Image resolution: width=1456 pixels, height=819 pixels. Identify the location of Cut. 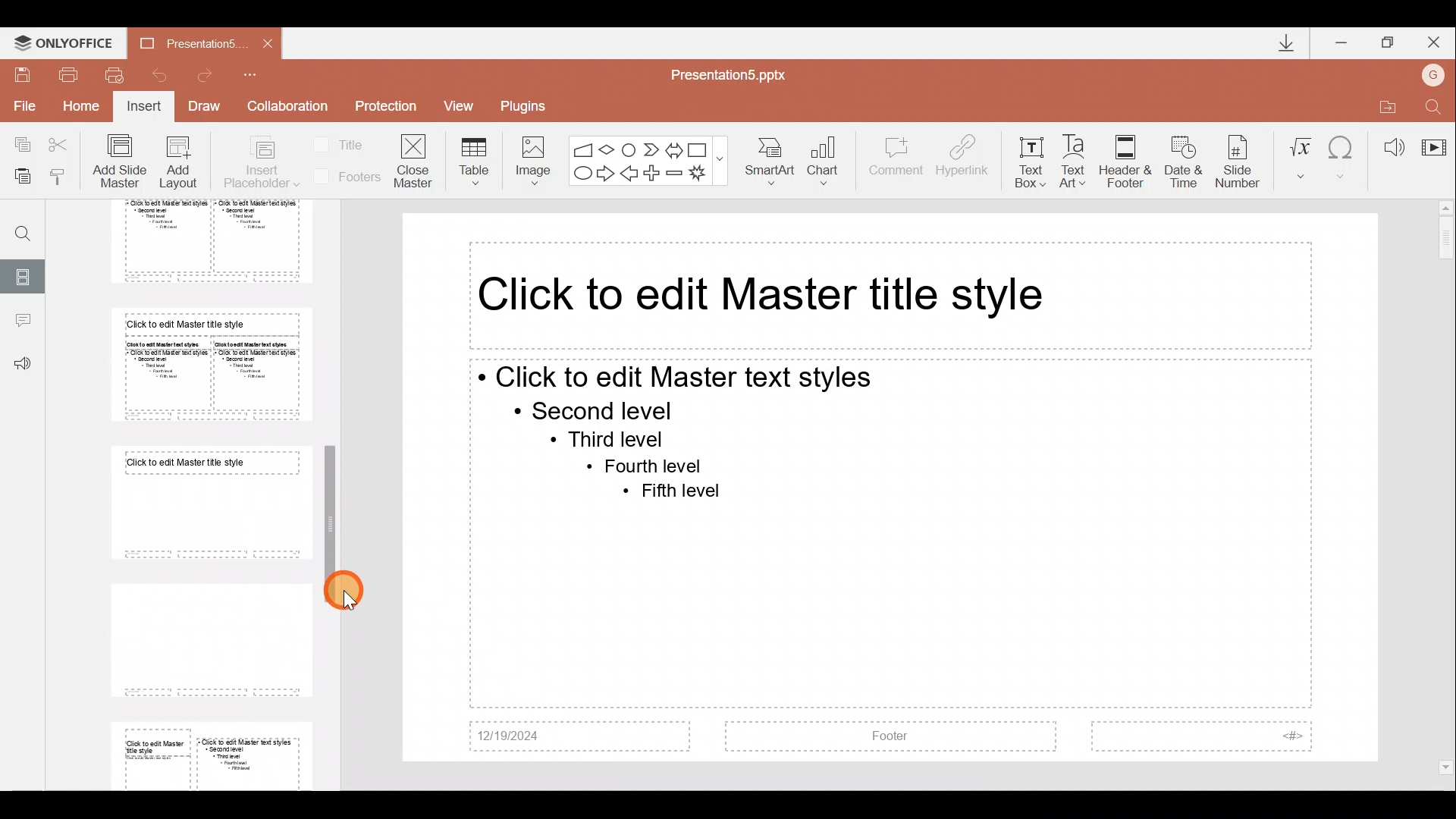
(62, 144).